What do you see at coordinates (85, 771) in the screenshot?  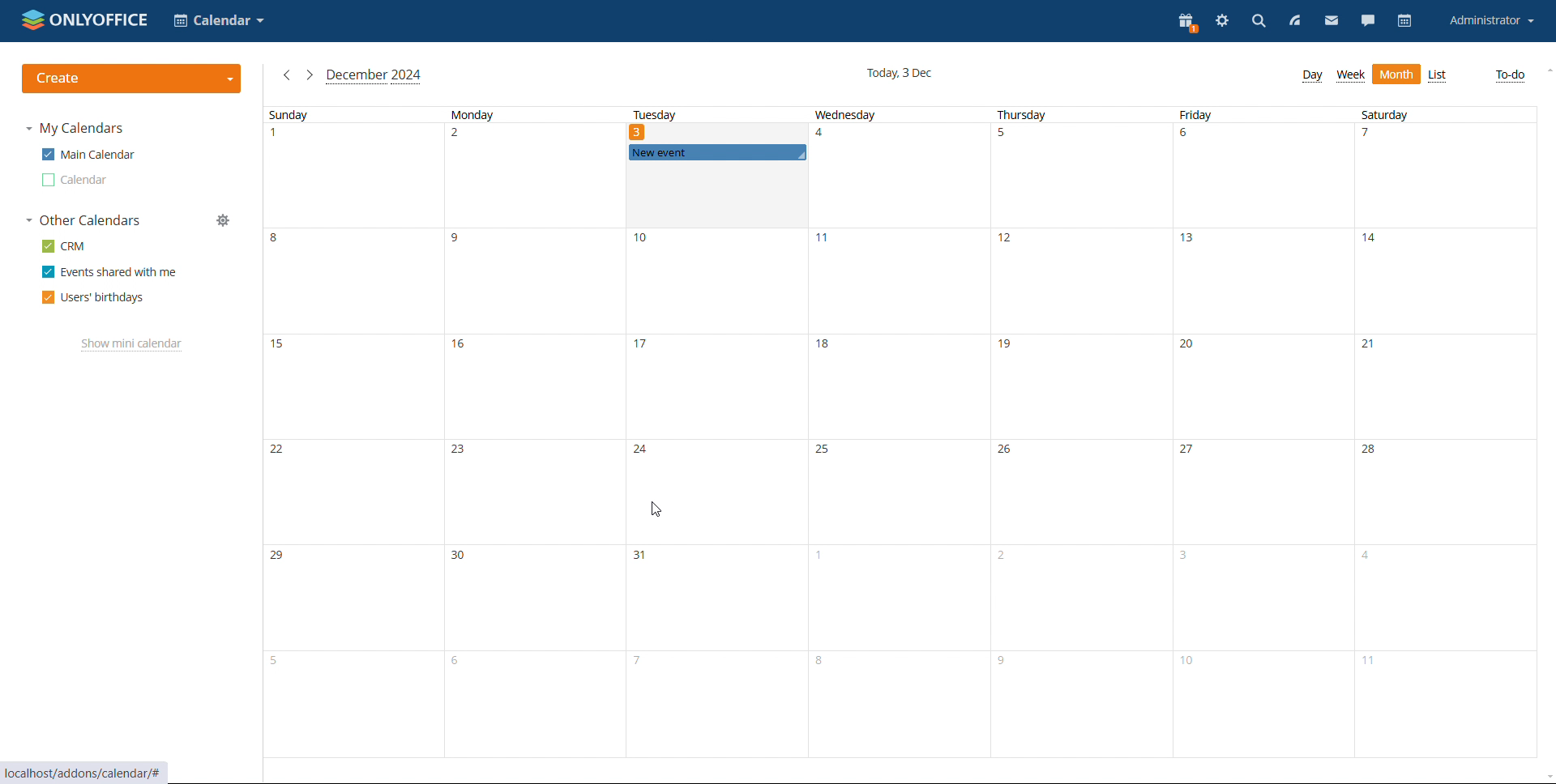 I see `address` at bounding box center [85, 771].